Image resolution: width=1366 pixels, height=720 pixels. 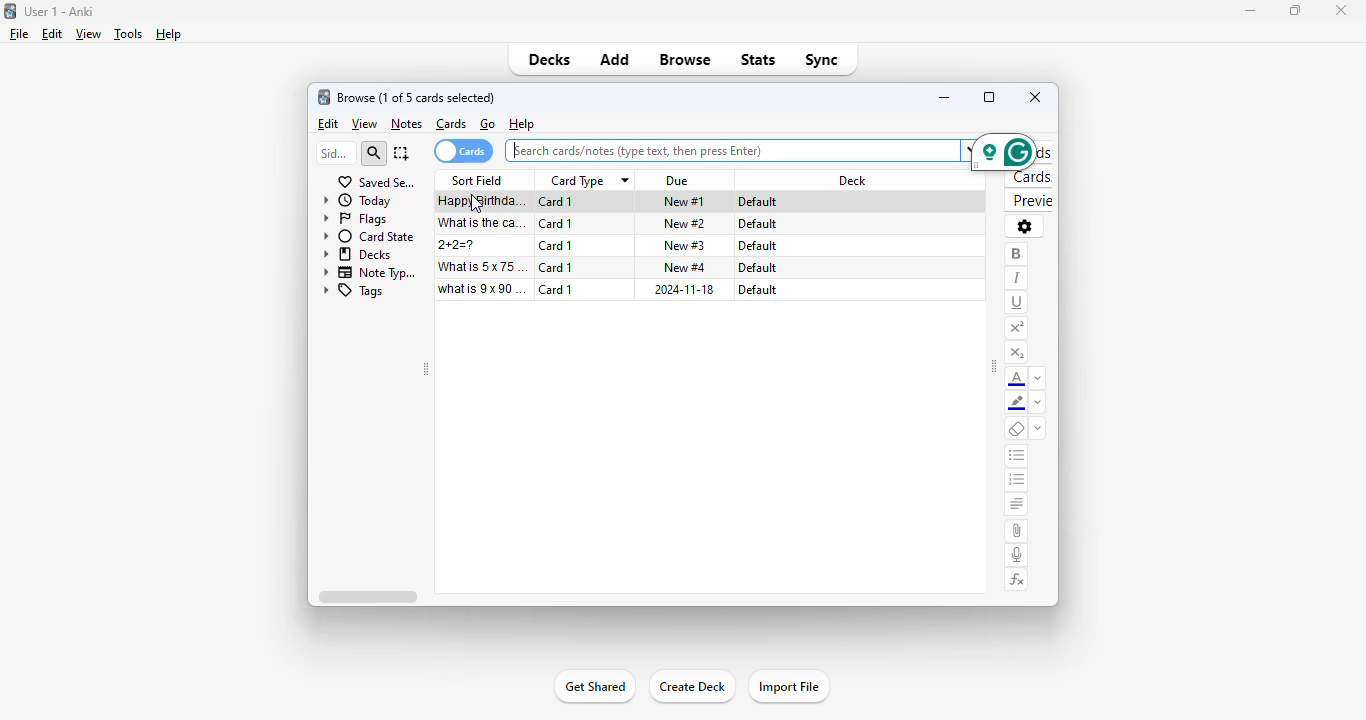 What do you see at coordinates (371, 273) in the screenshot?
I see `note types` at bounding box center [371, 273].